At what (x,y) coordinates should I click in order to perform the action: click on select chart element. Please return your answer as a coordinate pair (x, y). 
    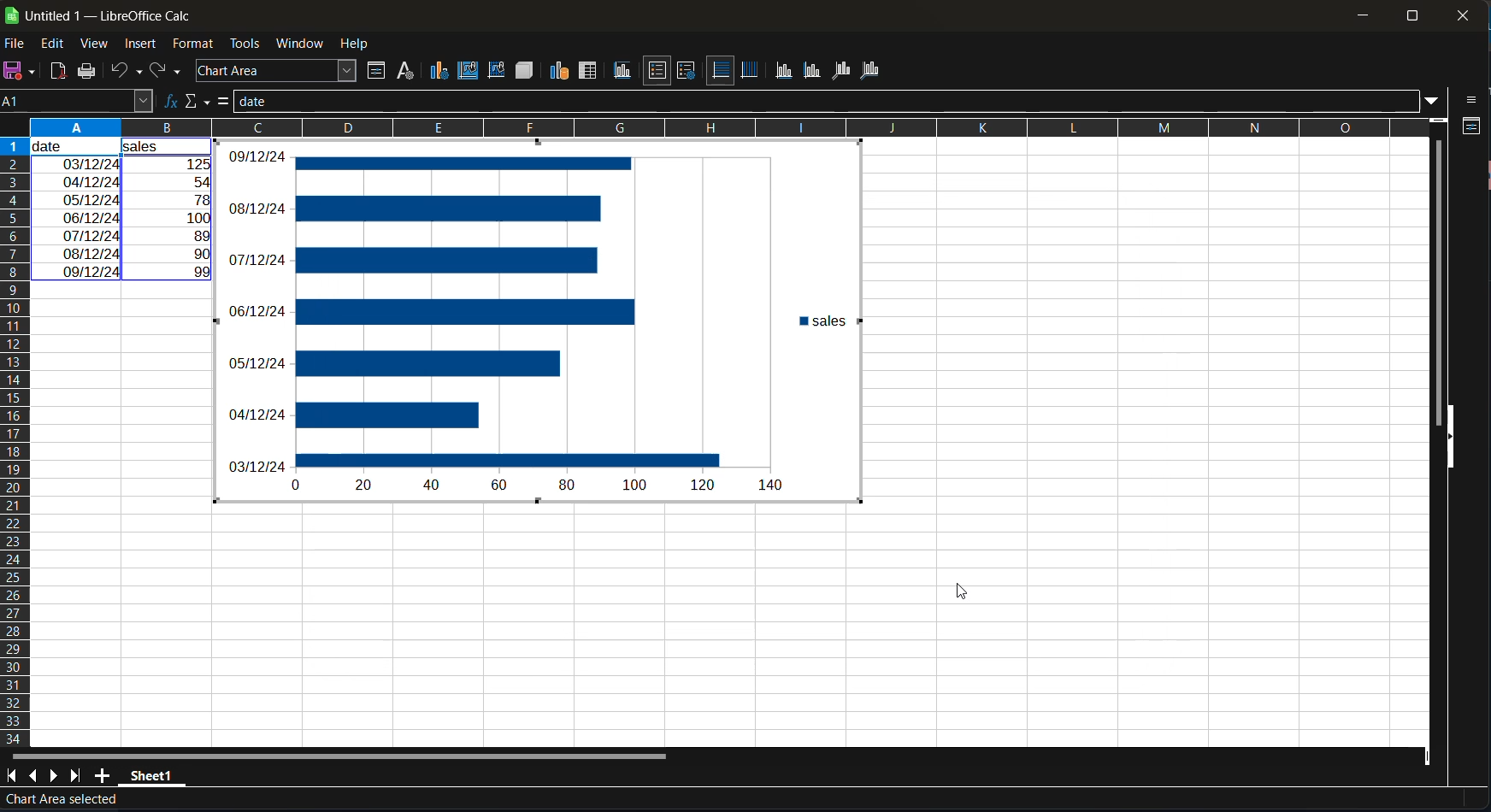
    Looking at the image, I should click on (280, 70).